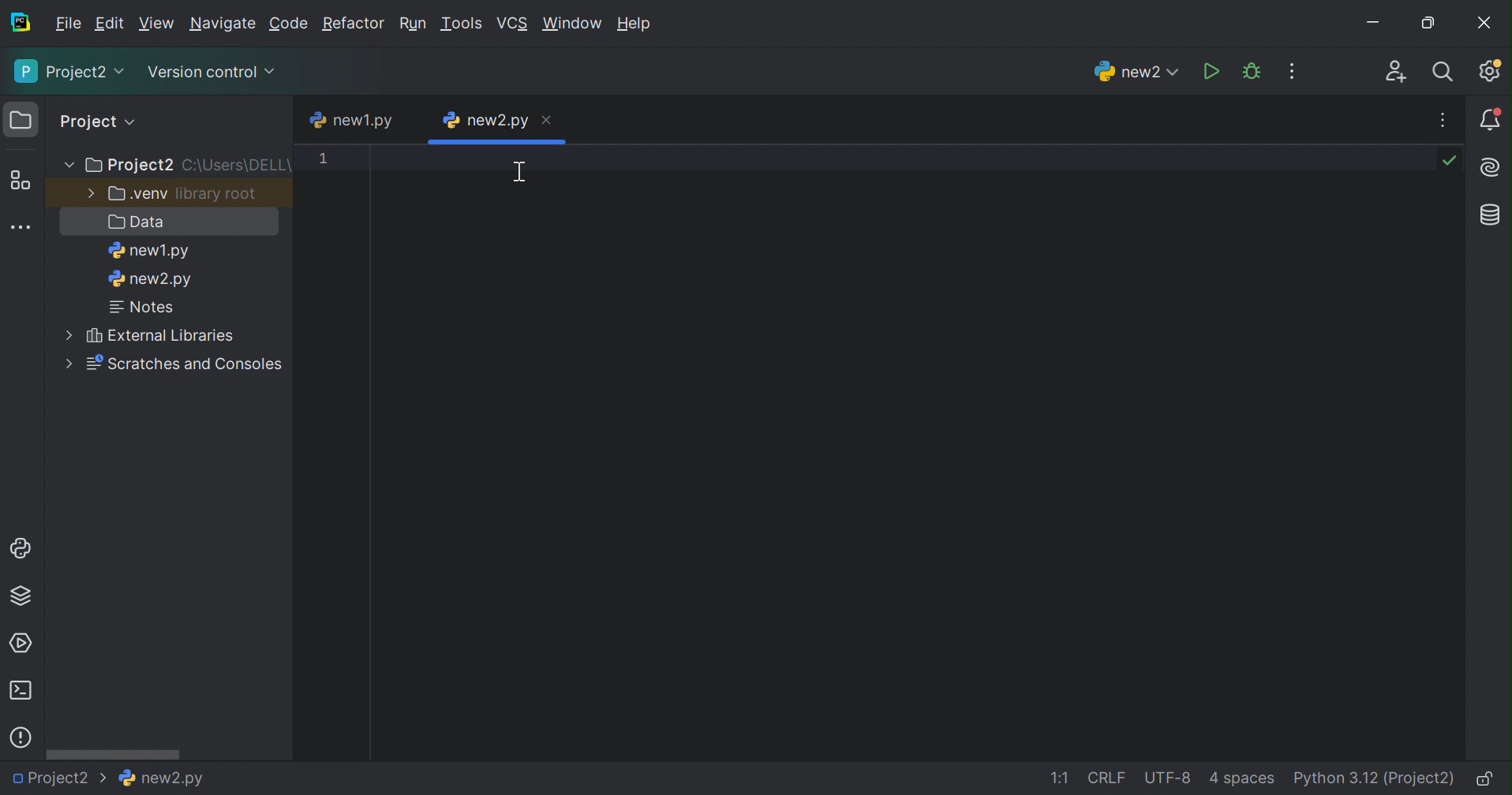 This screenshot has height=795, width=1512. Describe the element at coordinates (574, 24) in the screenshot. I see `Windows` at that location.